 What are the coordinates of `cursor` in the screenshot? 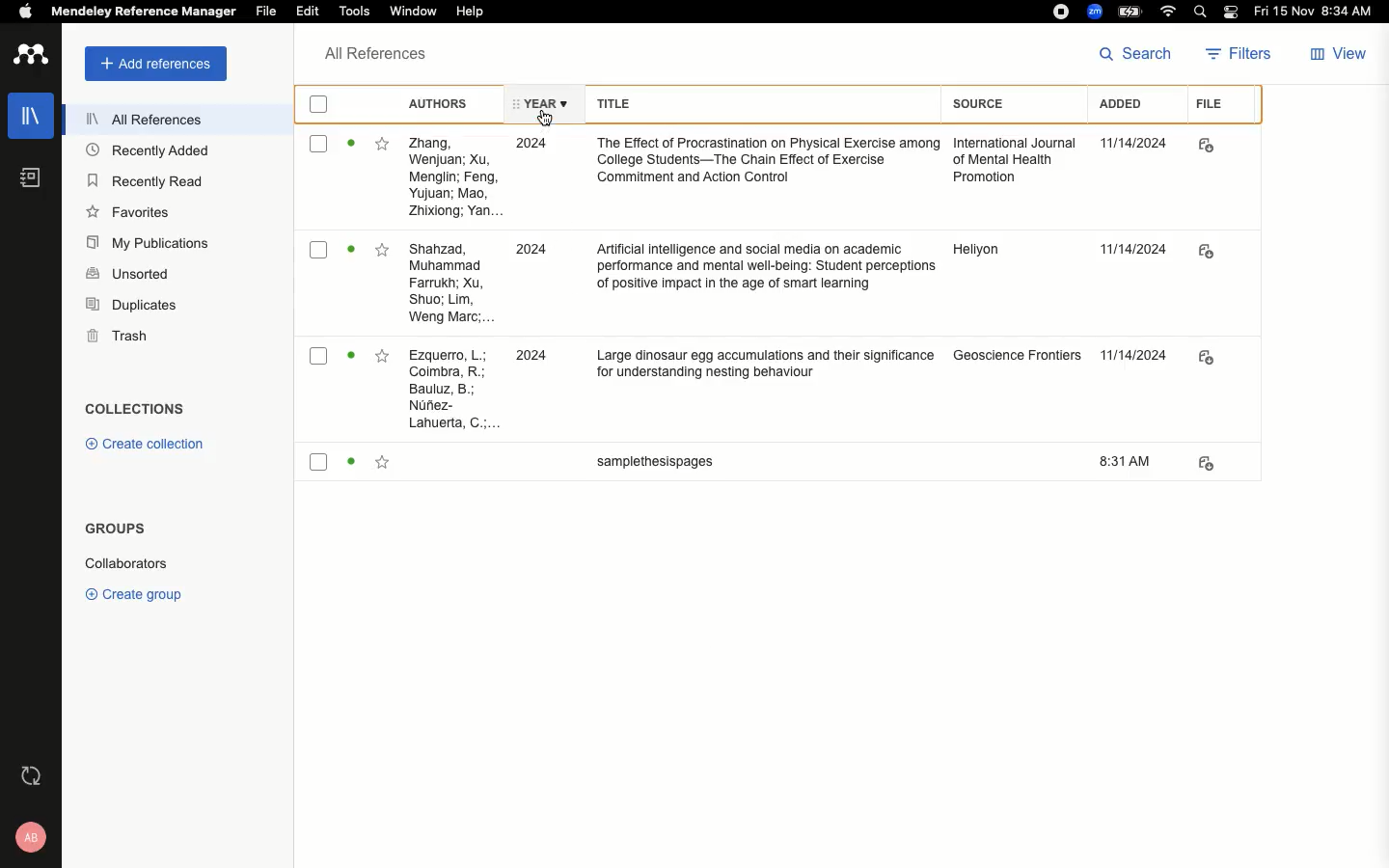 It's located at (548, 119).